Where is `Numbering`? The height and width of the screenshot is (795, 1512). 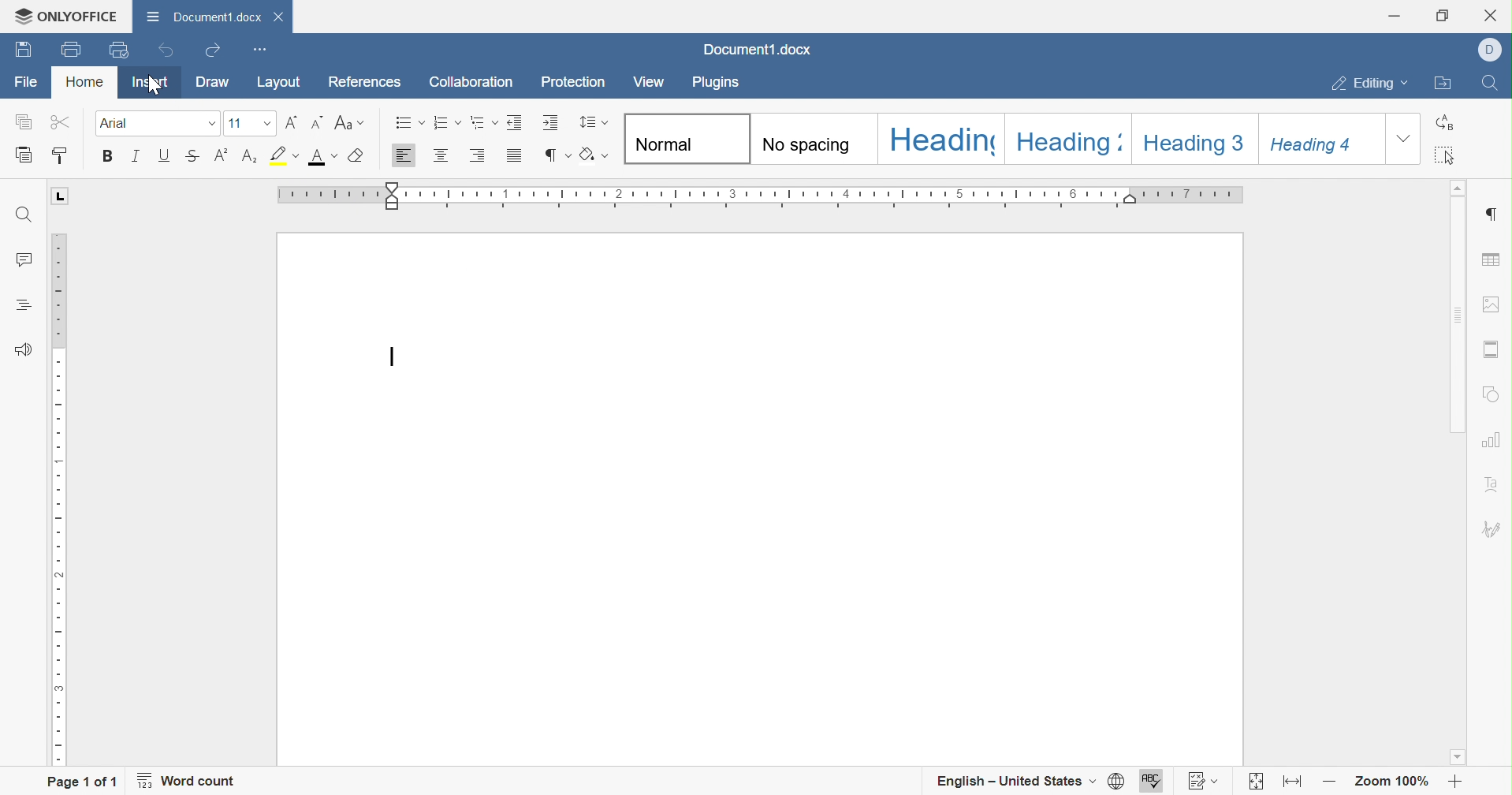 Numbering is located at coordinates (449, 121).